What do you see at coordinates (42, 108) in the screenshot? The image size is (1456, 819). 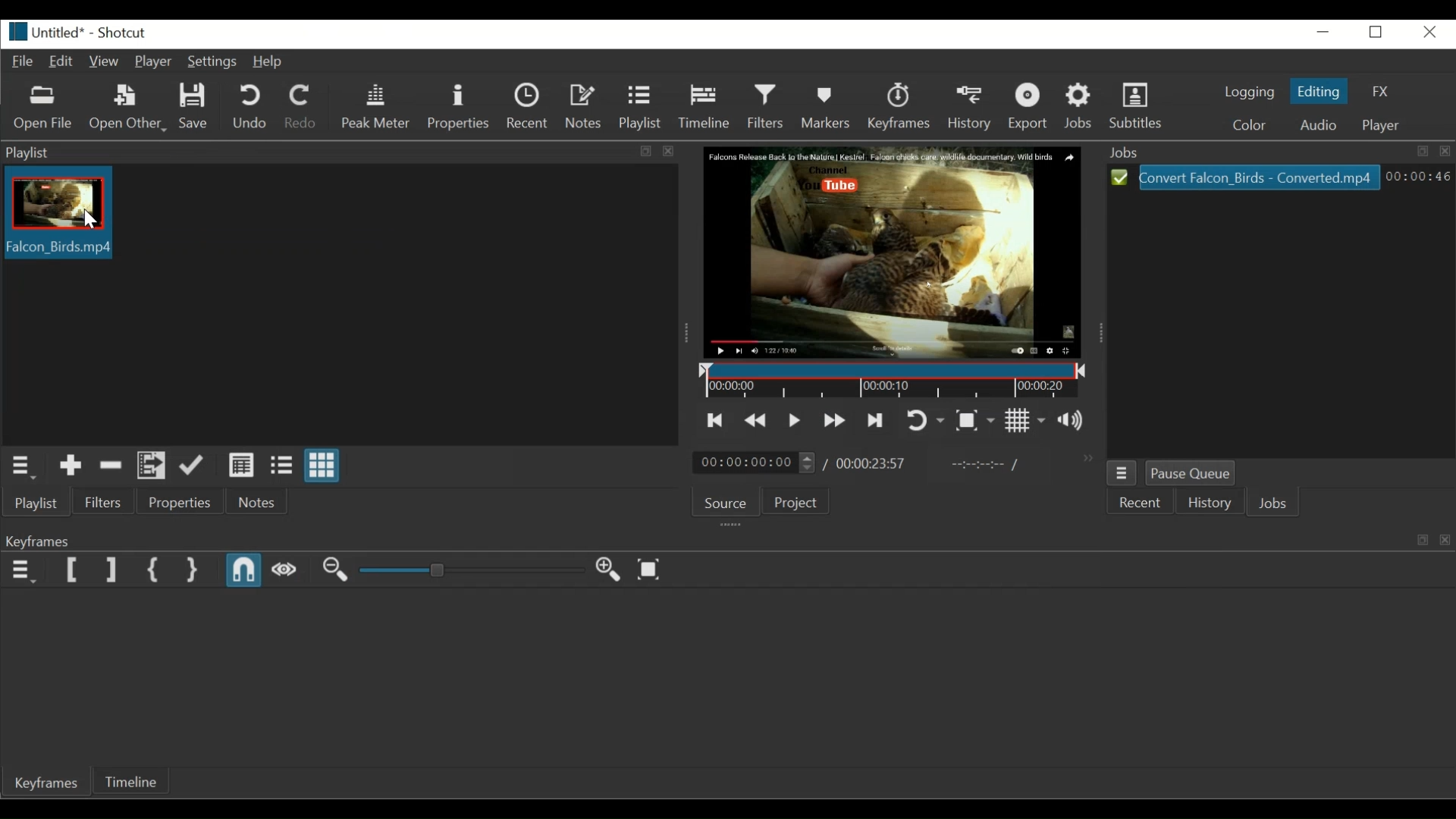 I see `Open File` at bounding box center [42, 108].